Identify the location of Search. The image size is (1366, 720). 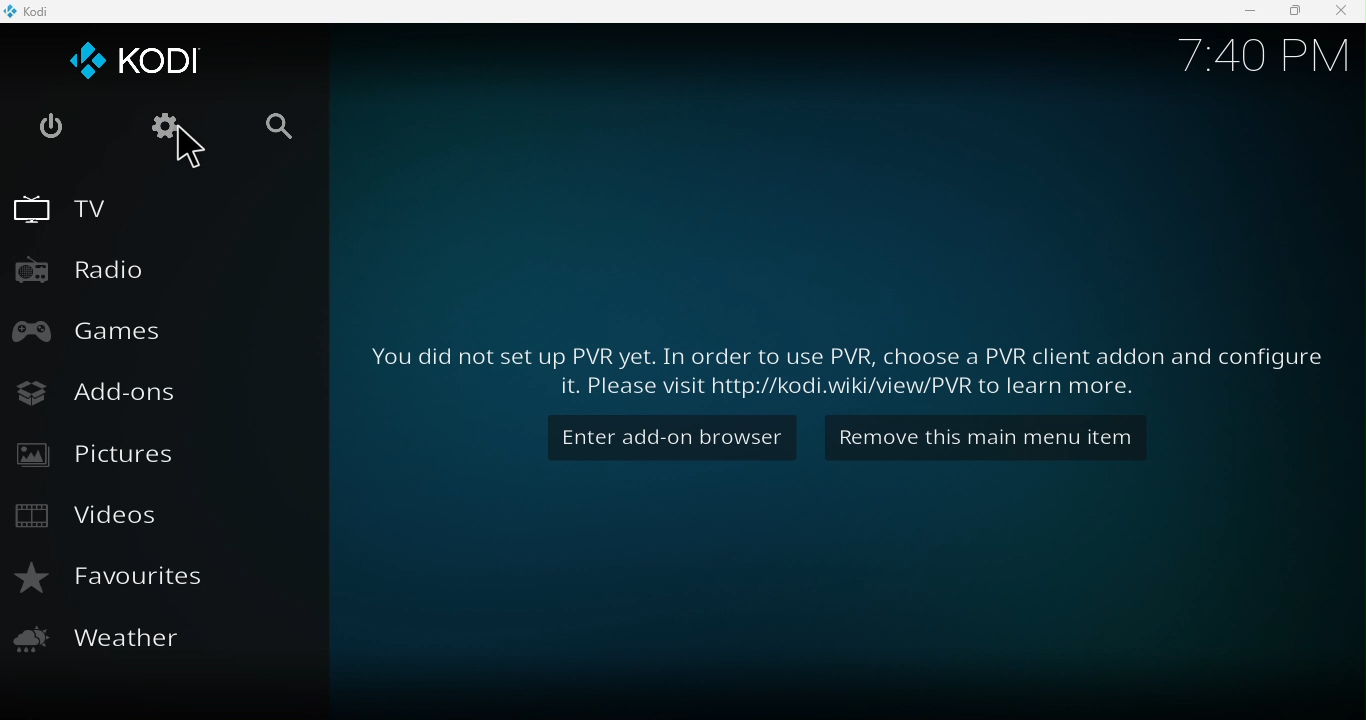
(288, 138).